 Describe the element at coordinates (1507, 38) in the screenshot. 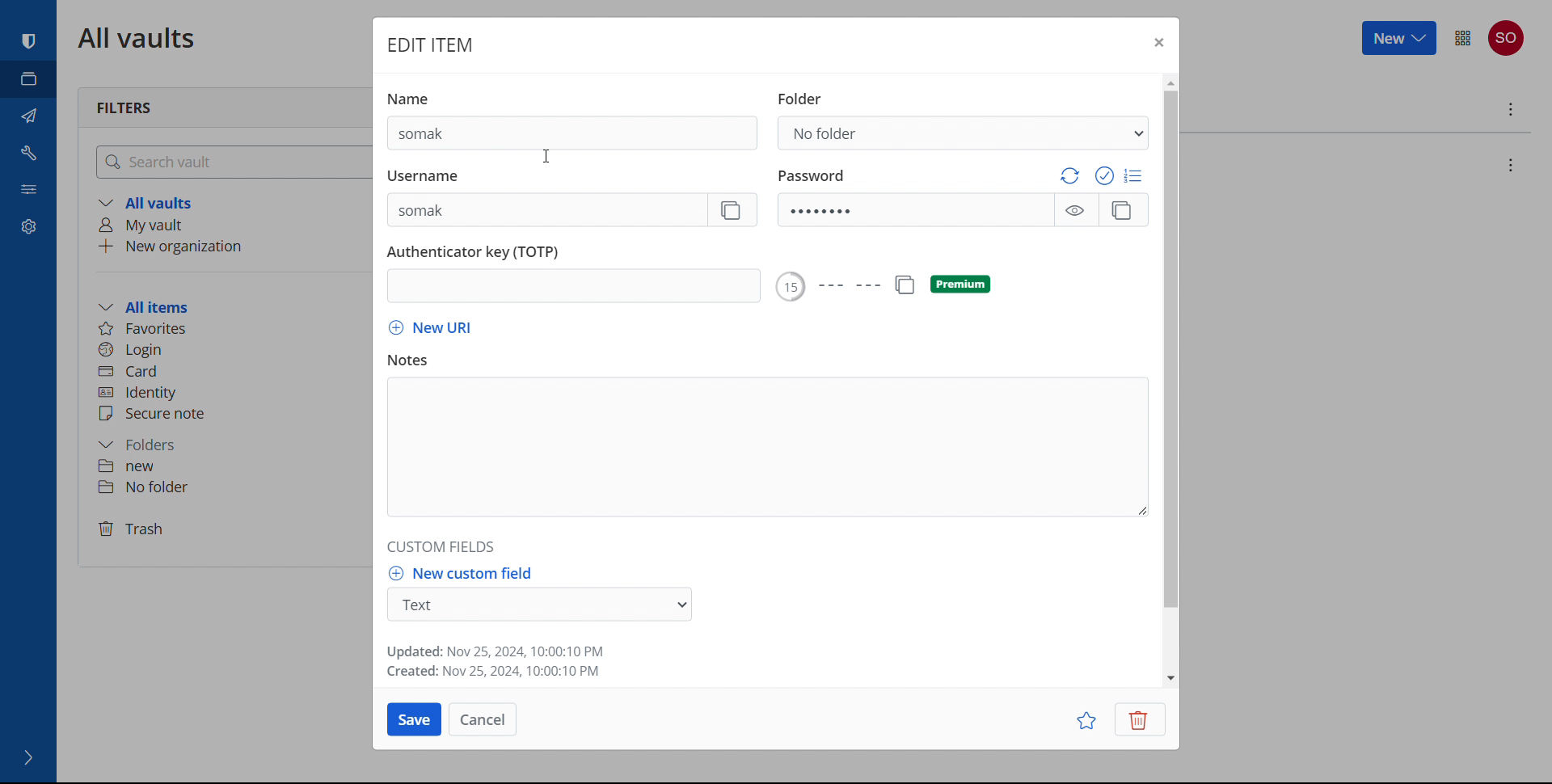

I see `account` at that location.